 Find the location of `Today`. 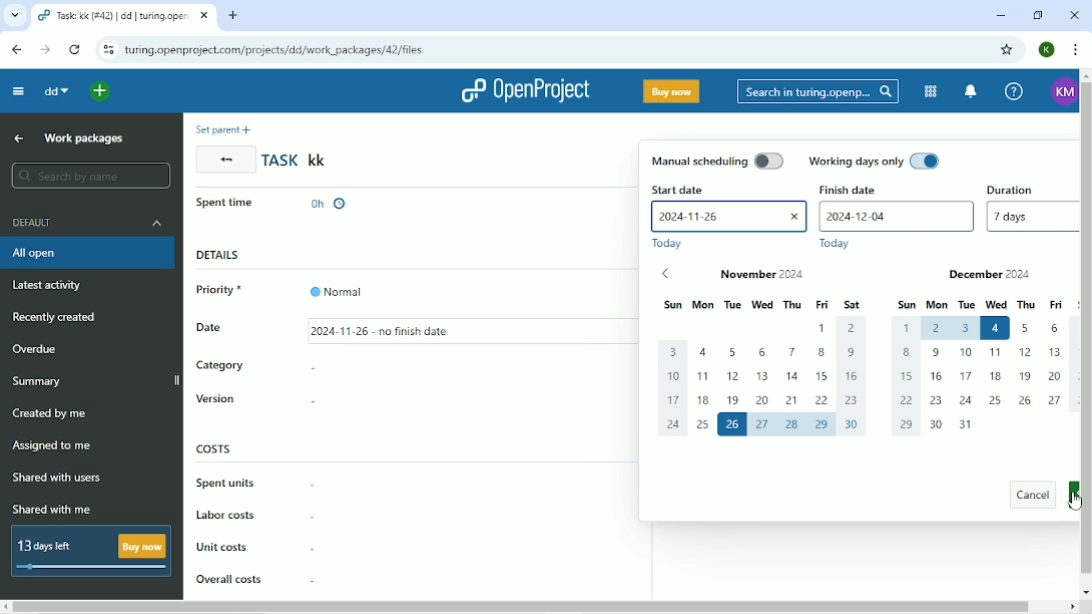

Today is located at coordinates (834, 244).